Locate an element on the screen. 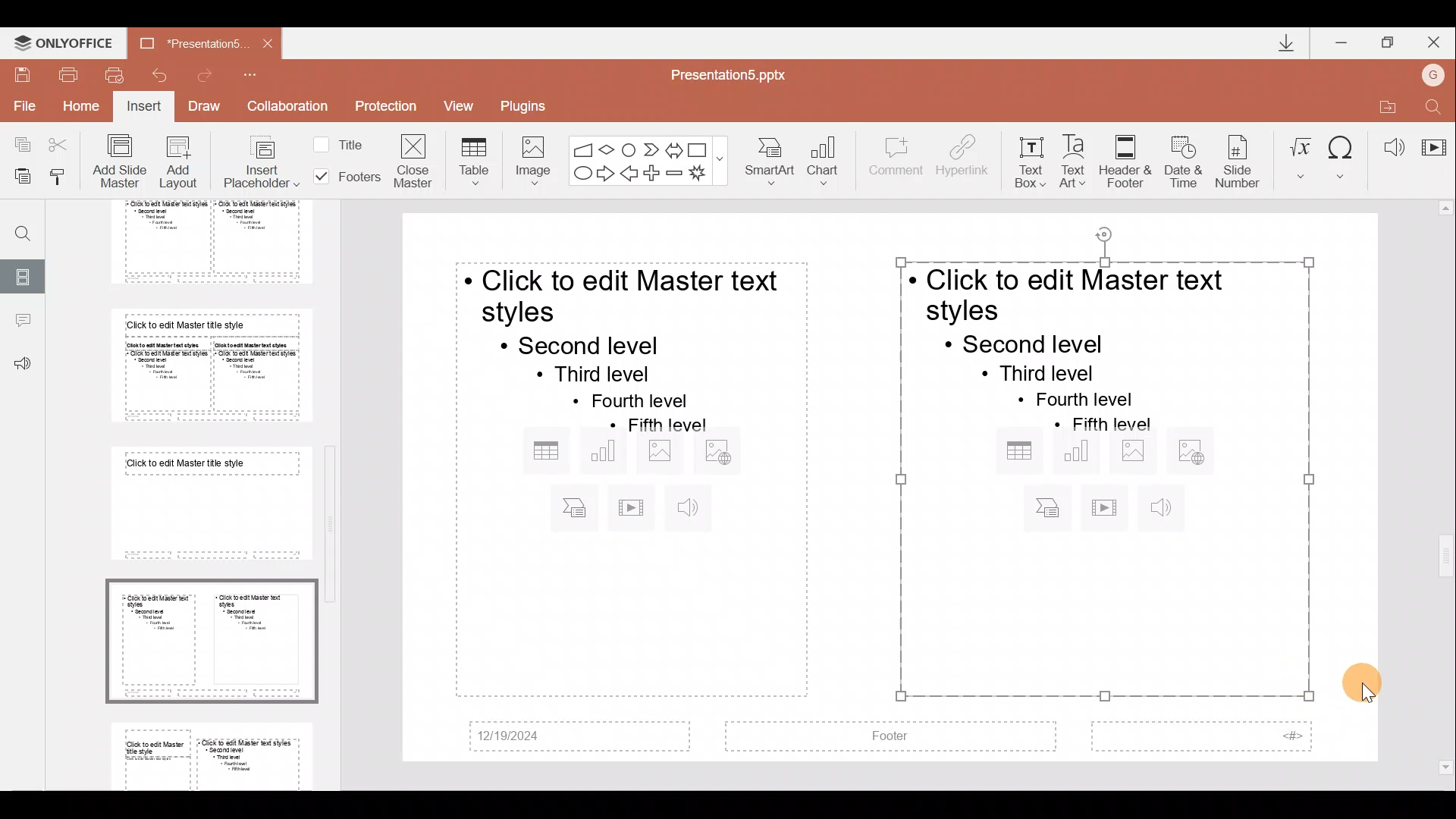 The height and width of the screenshot is (819, 1456). Print file is located at coordinates (69, 74).